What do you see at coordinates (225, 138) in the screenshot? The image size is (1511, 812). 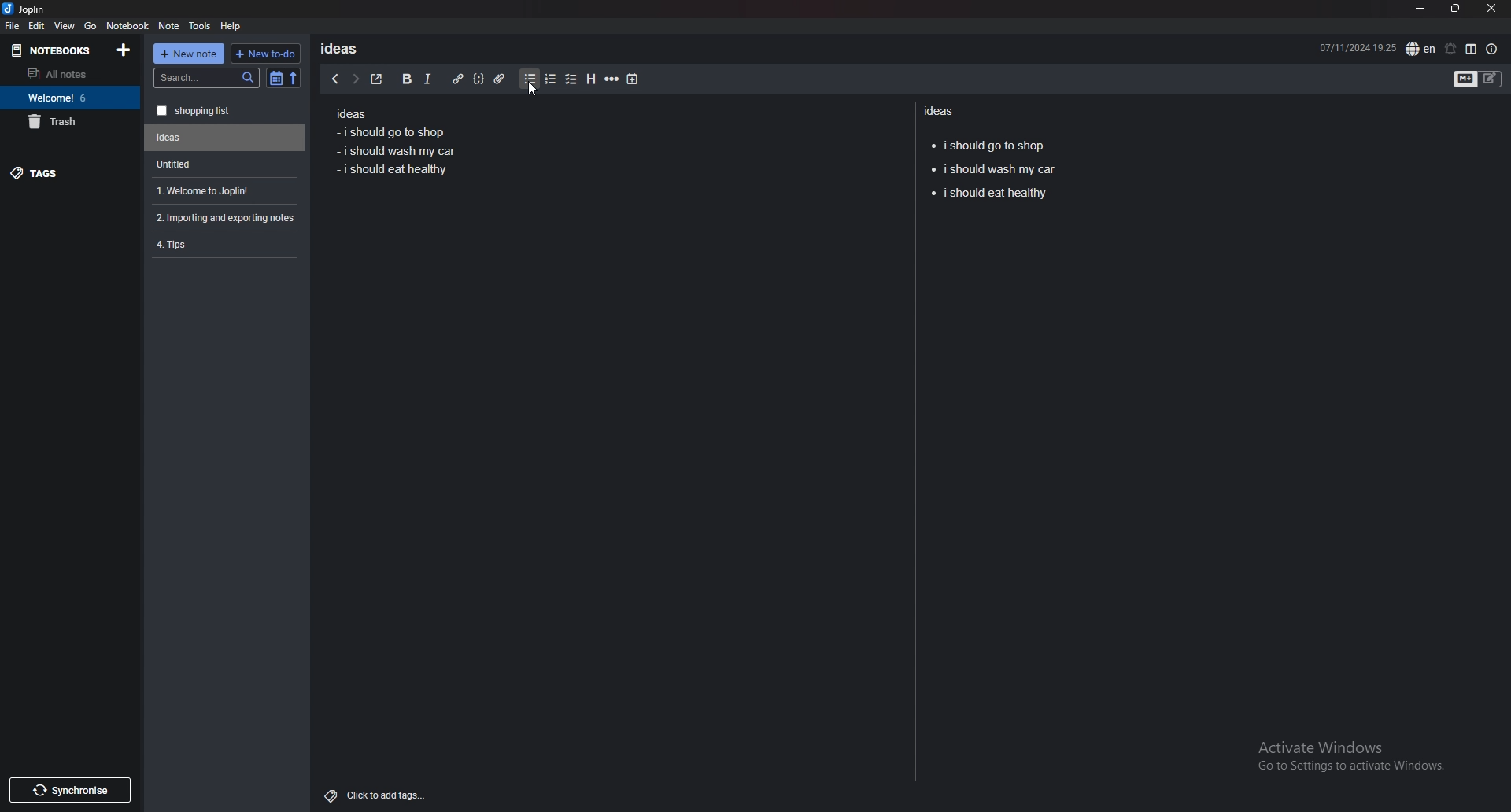 I see `Untitled` at bounding box center [225, 138].